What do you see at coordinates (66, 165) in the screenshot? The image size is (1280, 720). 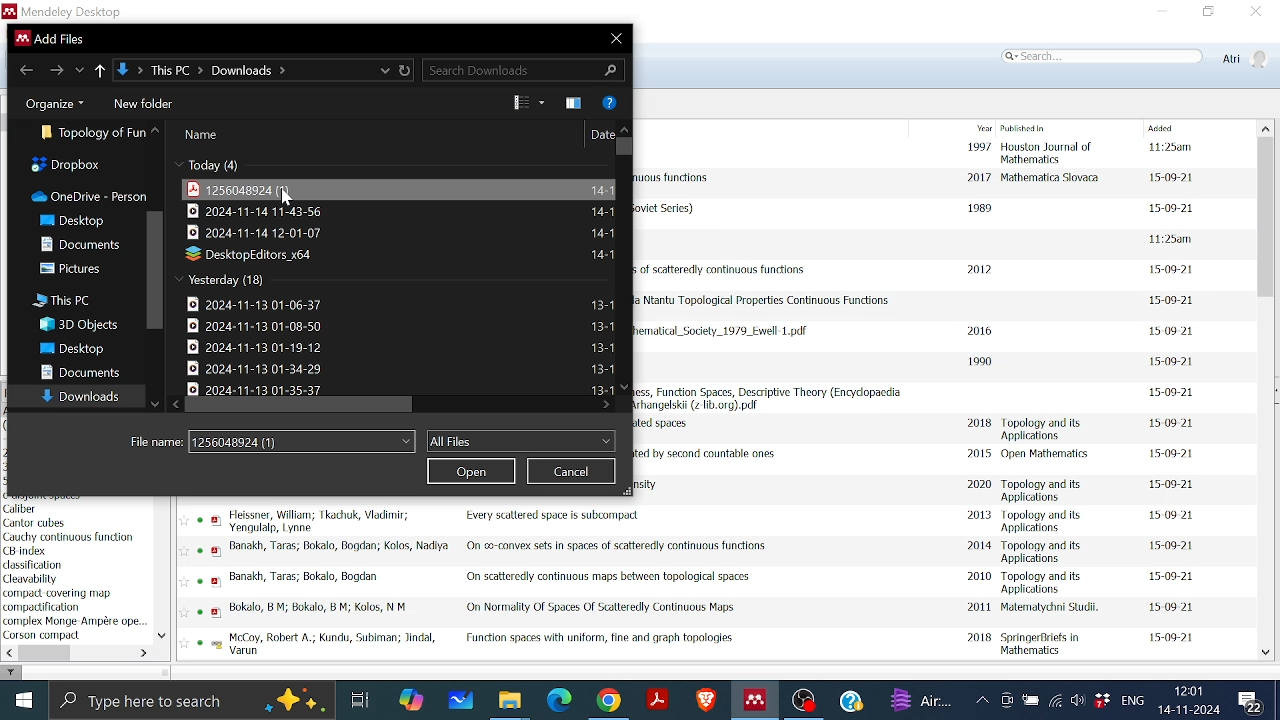 I see `Dropbox` at bounding box center [66, 165].